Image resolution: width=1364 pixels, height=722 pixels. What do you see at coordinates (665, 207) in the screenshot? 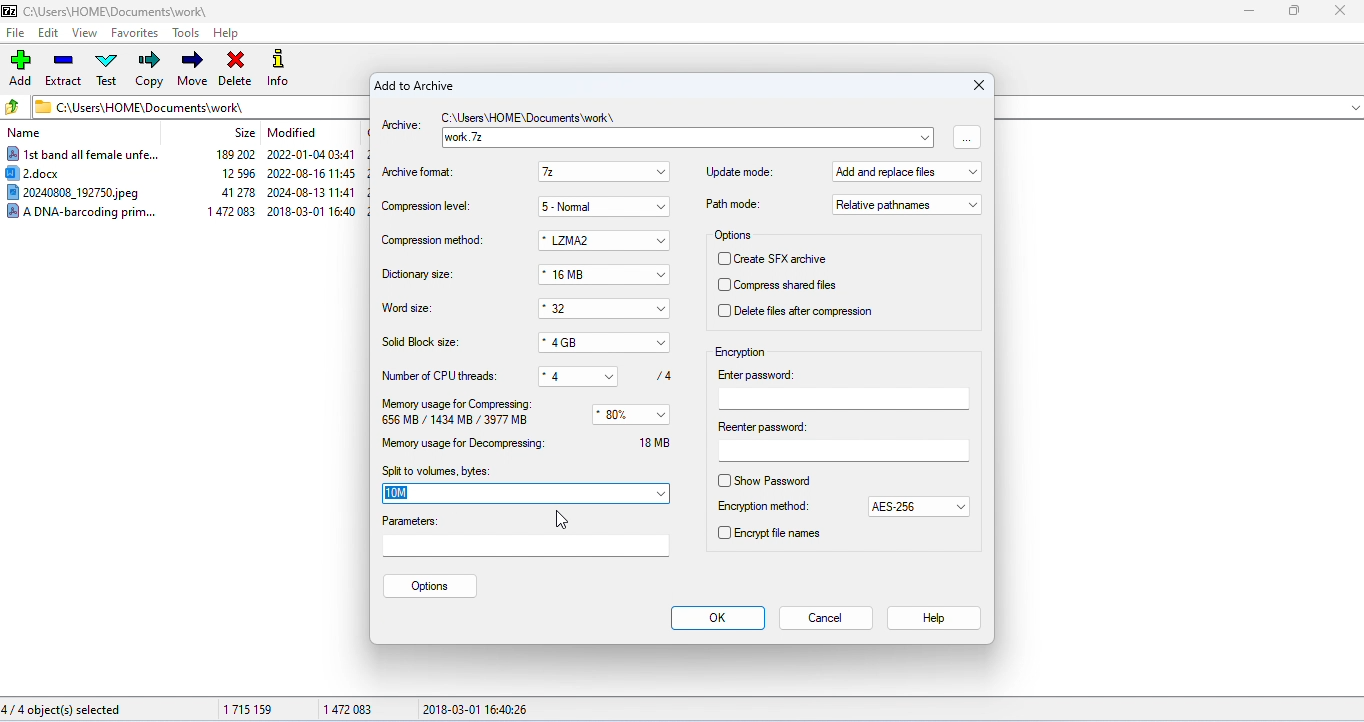
I see `drop down` at bounding box center [665, 207].